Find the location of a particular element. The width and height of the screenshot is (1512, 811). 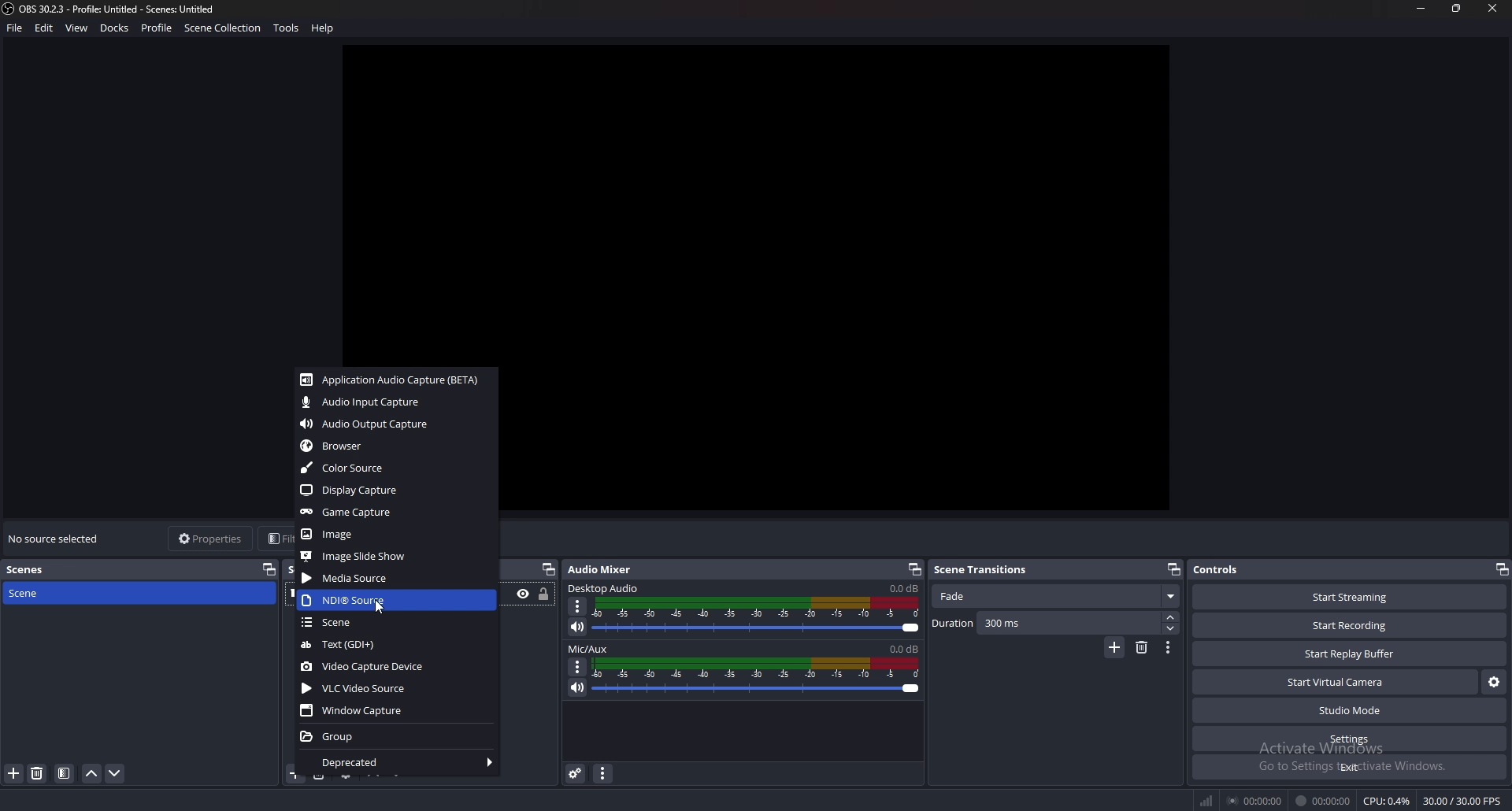

pop out is located at coordinates (1503, 569).